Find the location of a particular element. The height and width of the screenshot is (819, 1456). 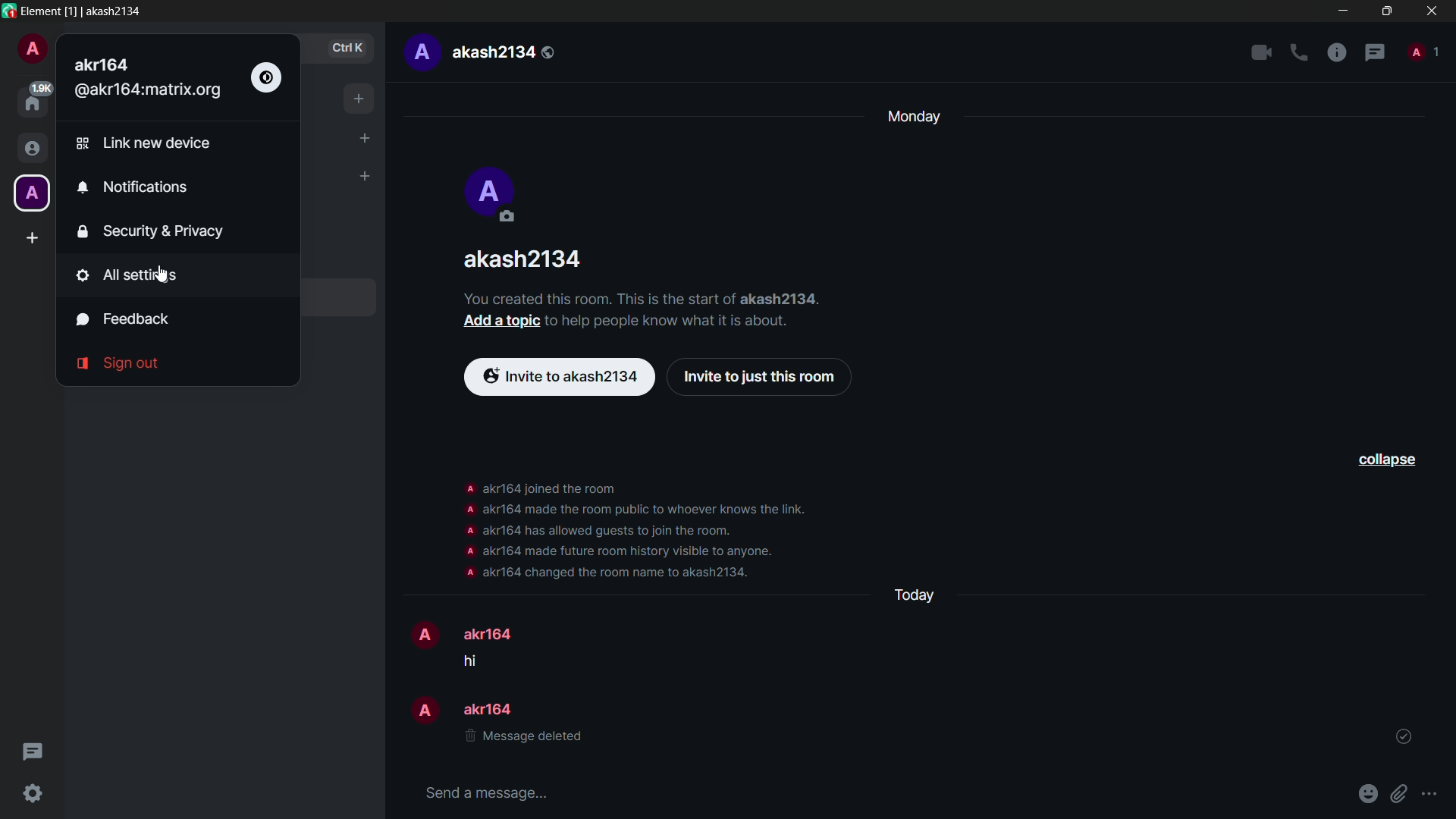

add room is located at coordinates (364, 177).